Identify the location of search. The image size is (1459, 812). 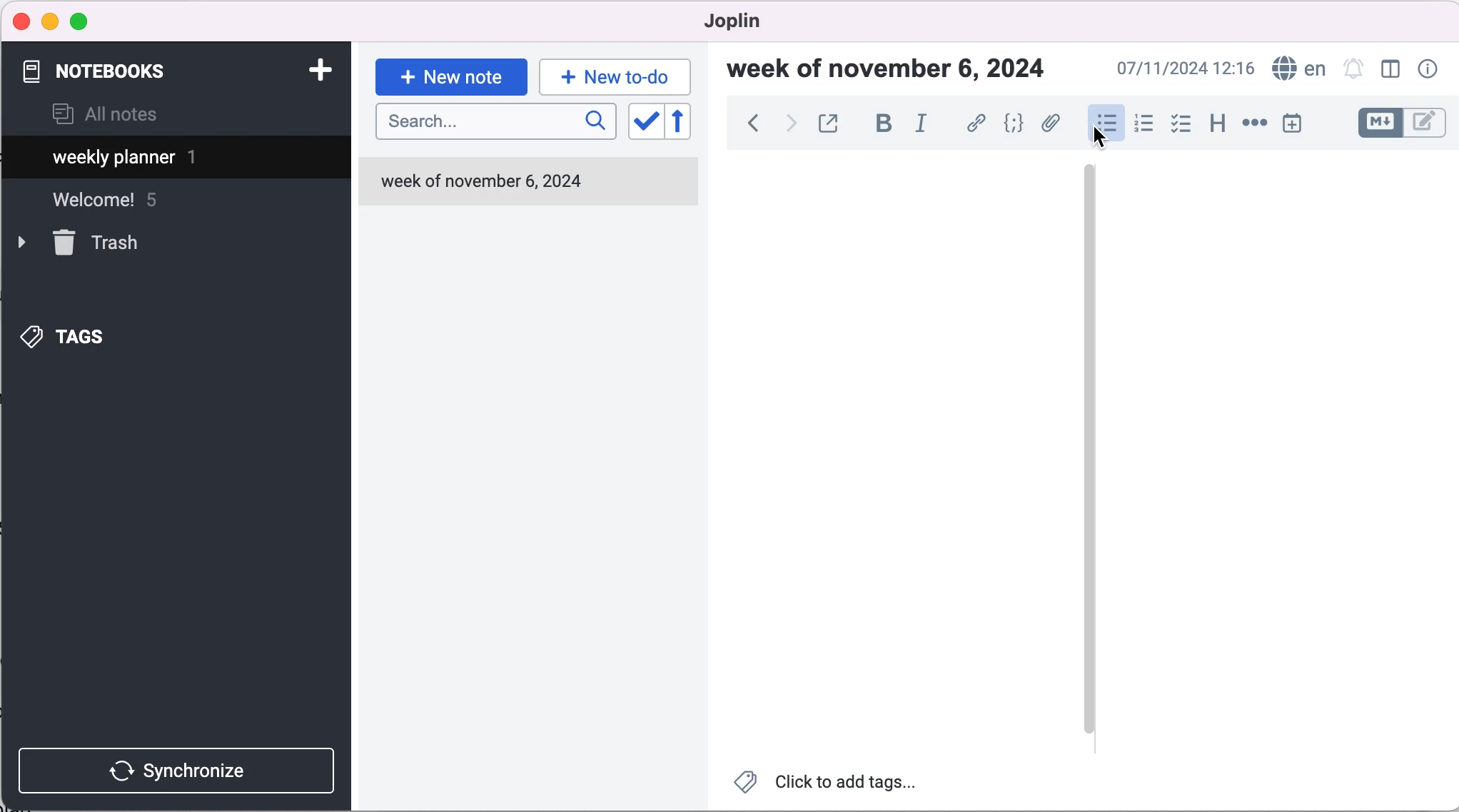
(495, 122).